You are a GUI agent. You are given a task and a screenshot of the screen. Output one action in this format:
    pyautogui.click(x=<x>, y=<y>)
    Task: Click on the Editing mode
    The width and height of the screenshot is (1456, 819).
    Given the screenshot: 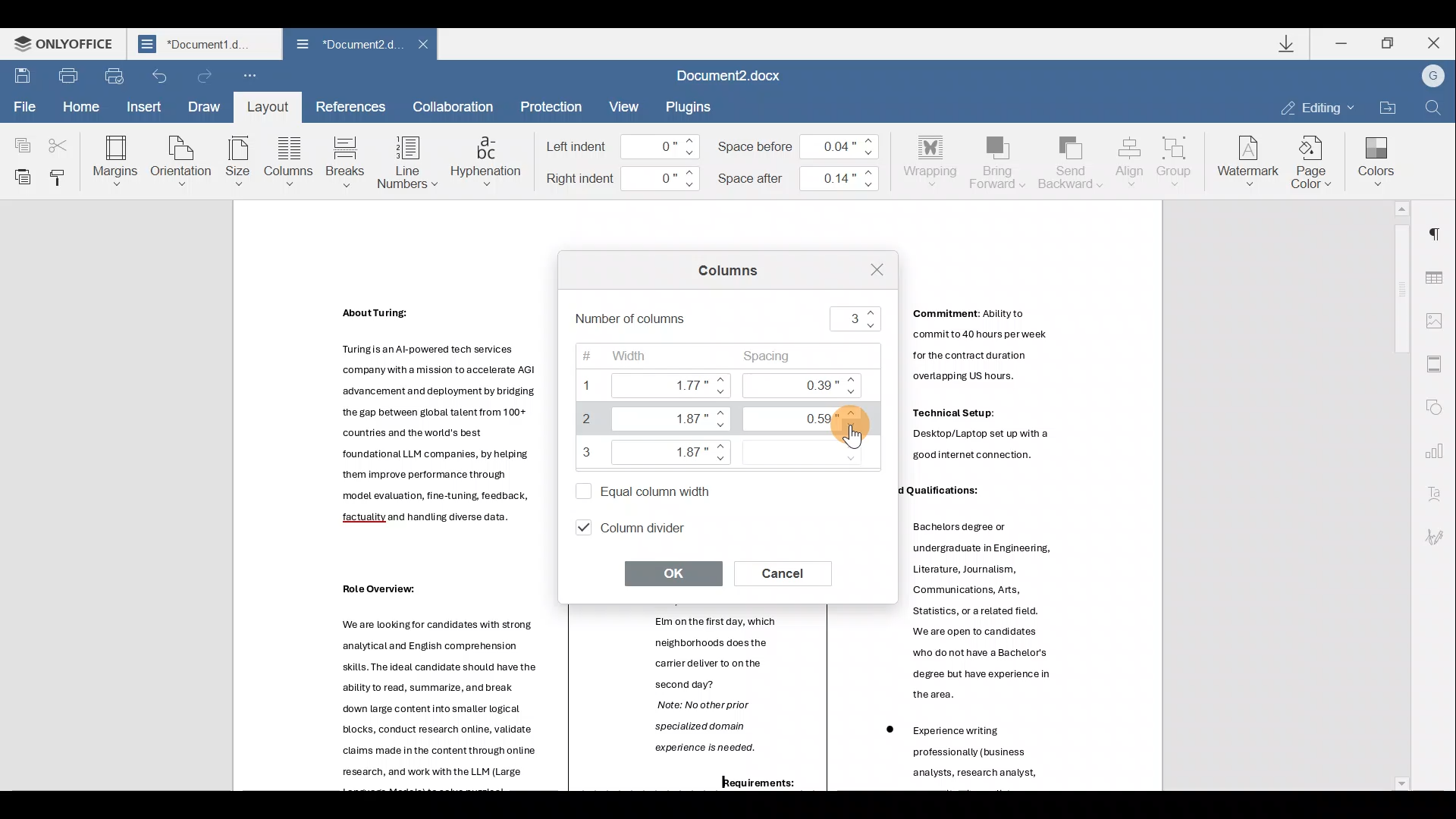 What is the action you would take?
    pyautogui.click(x=1316, y=106)
    